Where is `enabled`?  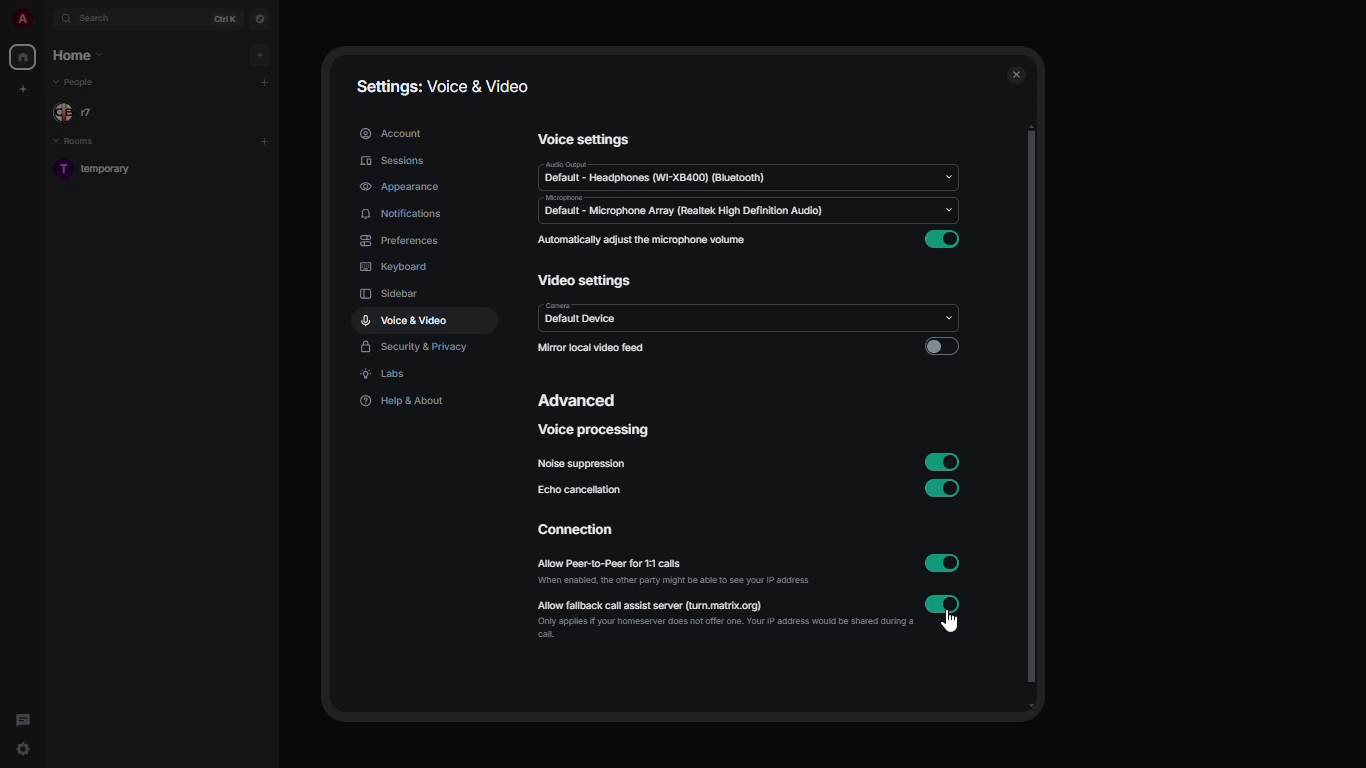 enabled is located at coordinates (941, 241).